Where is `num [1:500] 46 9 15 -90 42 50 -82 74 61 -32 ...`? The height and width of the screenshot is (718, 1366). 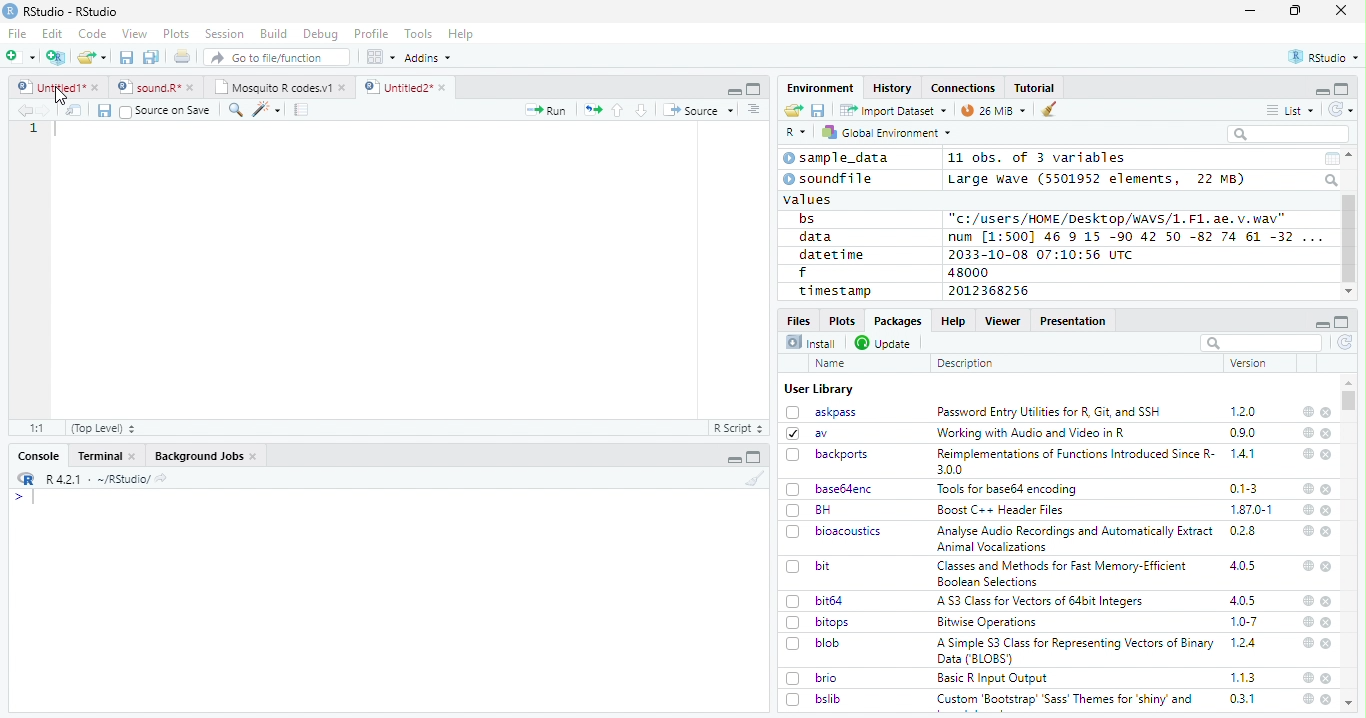
num [1:500] 46 9 15 -90 42 50 -82 74 61 -32 ... is located at coordinates (1135, 236).